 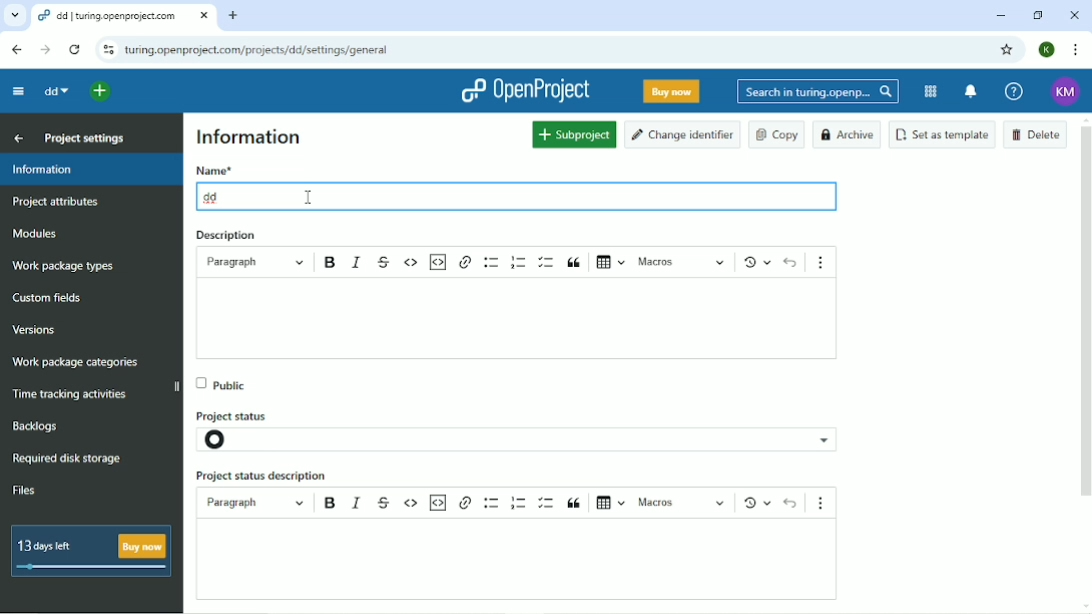 What do you see at coordinates (490, 502) in the screenshot?
I see `bulleted list` at bounding box center [490, 502].